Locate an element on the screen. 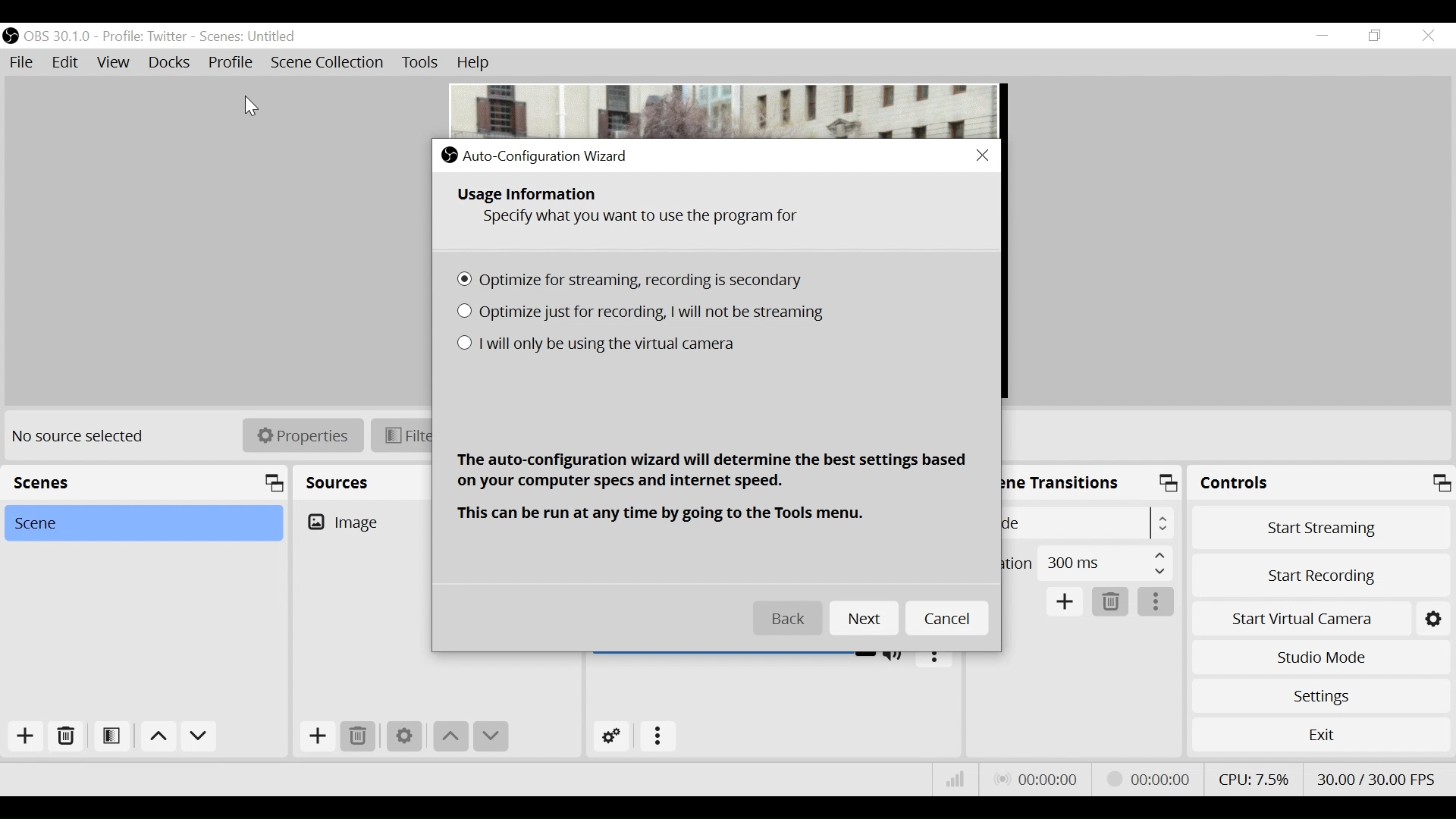 The width and height of the screenshot is (1456, 819). Sources is located at coordinates (337, 479).